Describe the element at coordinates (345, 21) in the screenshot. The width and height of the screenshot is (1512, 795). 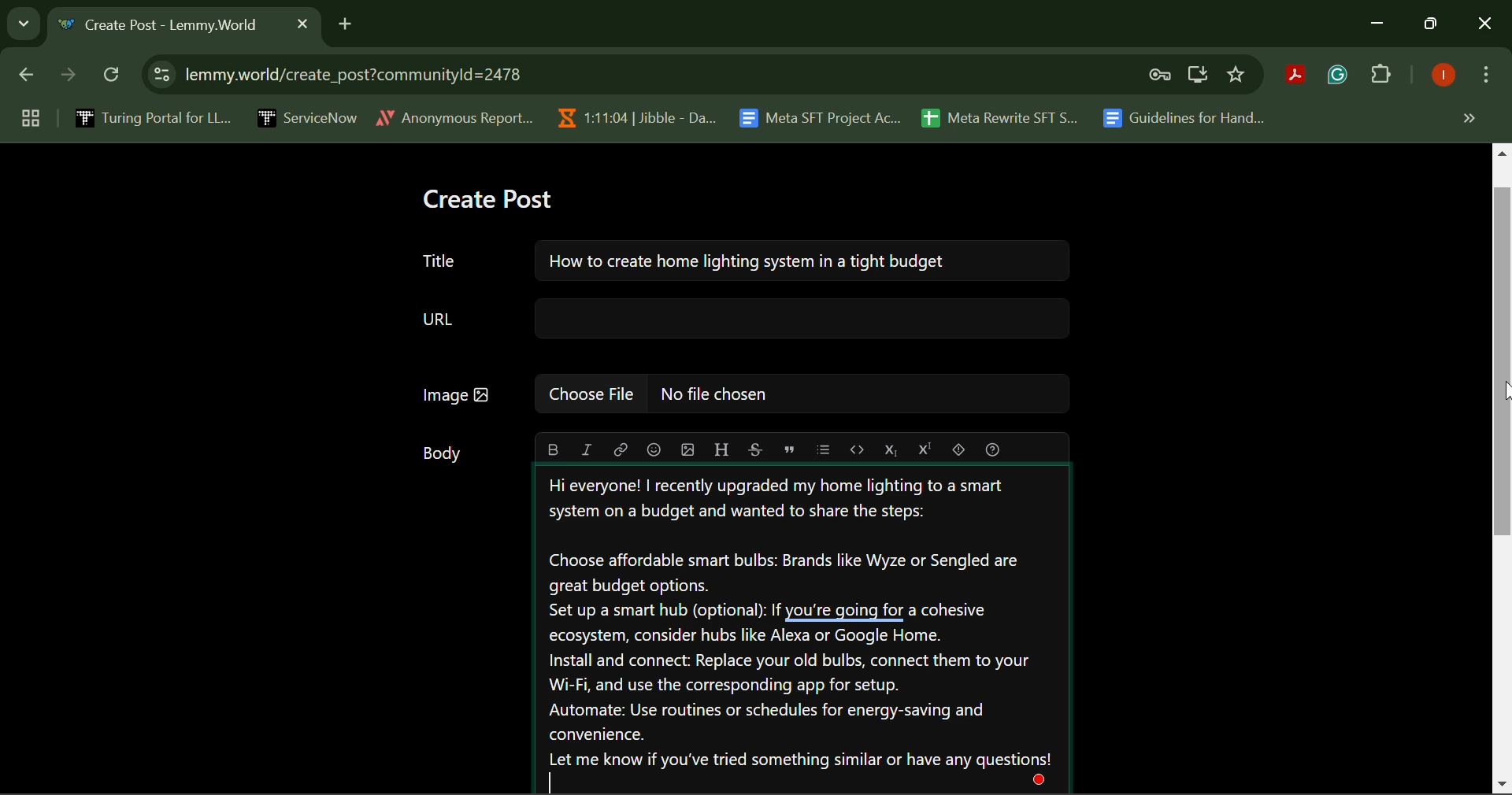
I see `Add Tab` at that location.